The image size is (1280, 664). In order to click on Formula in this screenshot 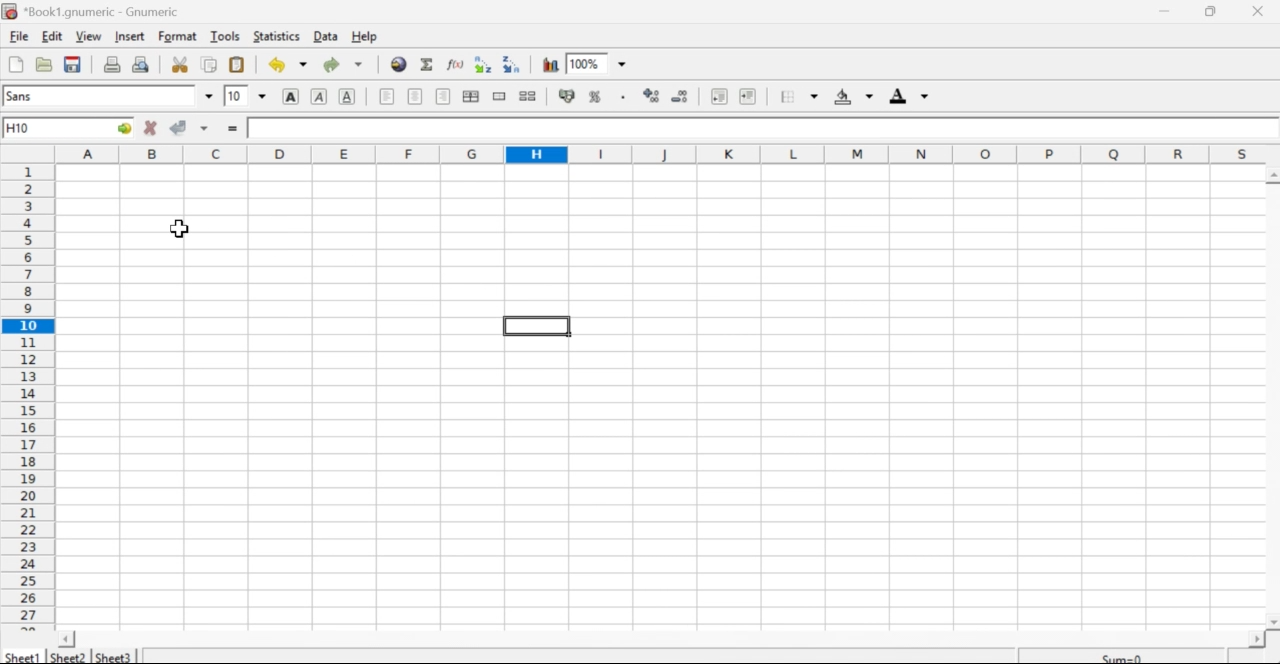, I will do `click(428, 64)`.